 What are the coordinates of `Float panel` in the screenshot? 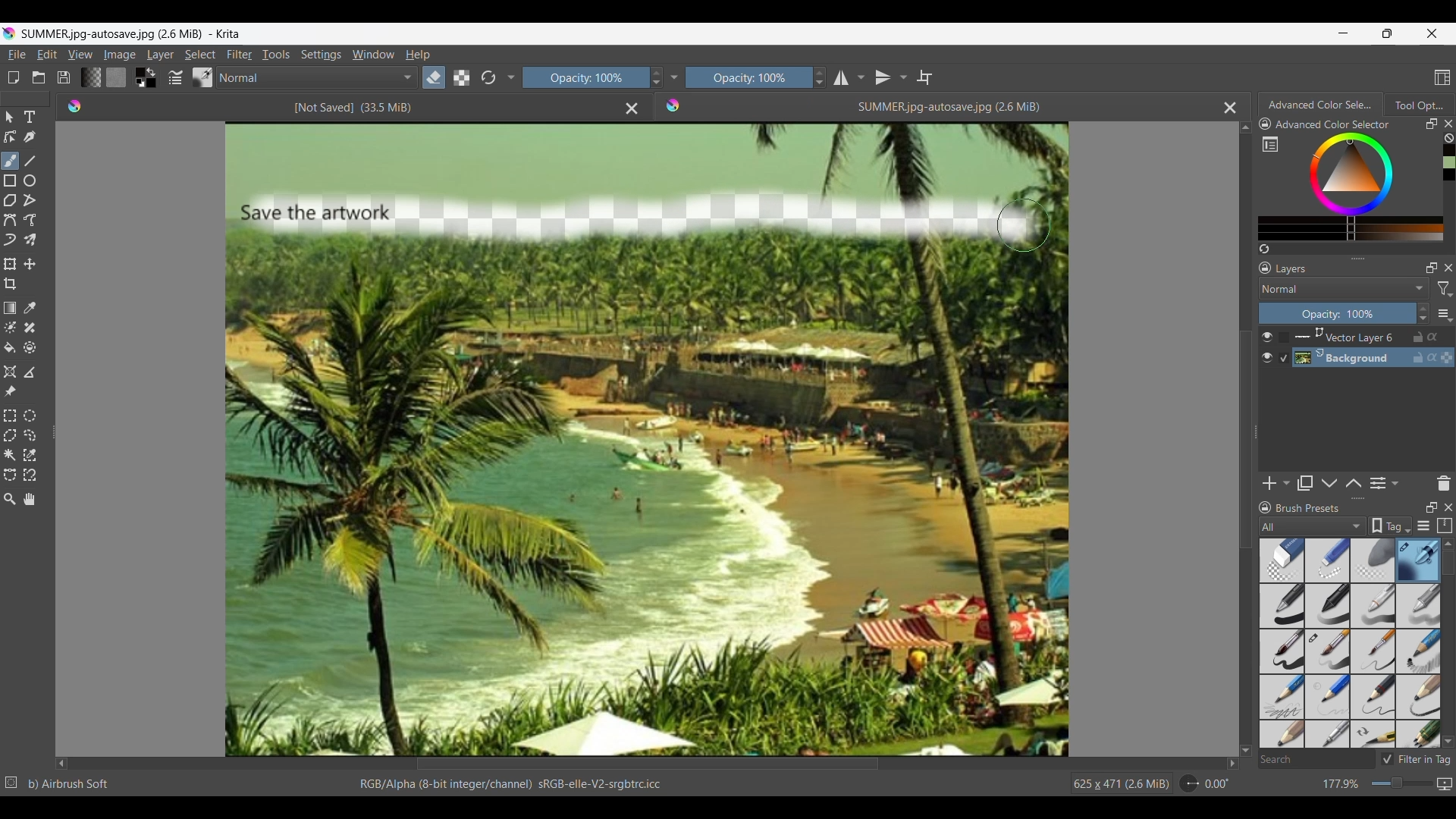 It's located at (1429, 508).